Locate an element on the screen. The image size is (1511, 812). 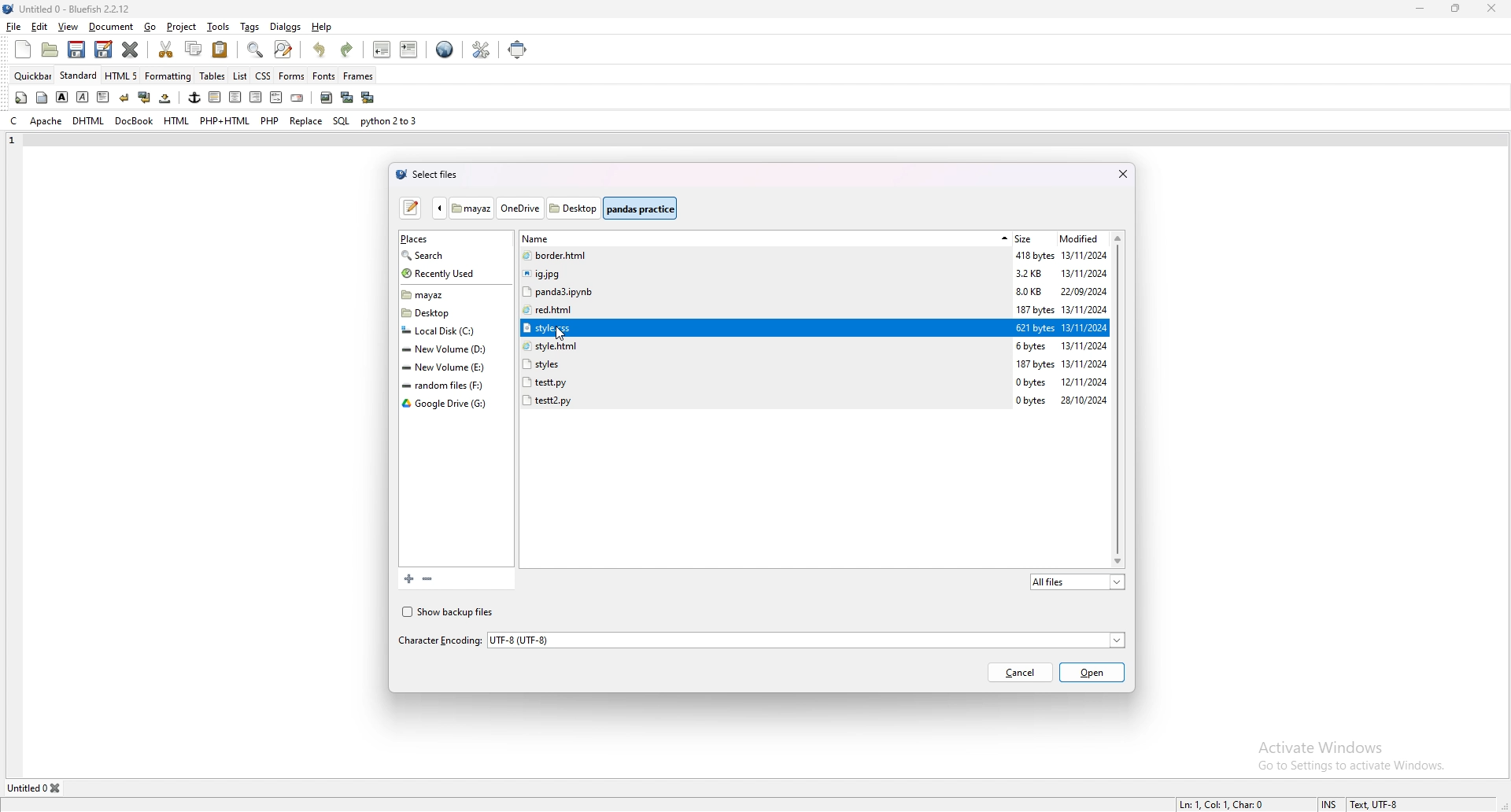
dialogs is located at coordinates (285, 28).